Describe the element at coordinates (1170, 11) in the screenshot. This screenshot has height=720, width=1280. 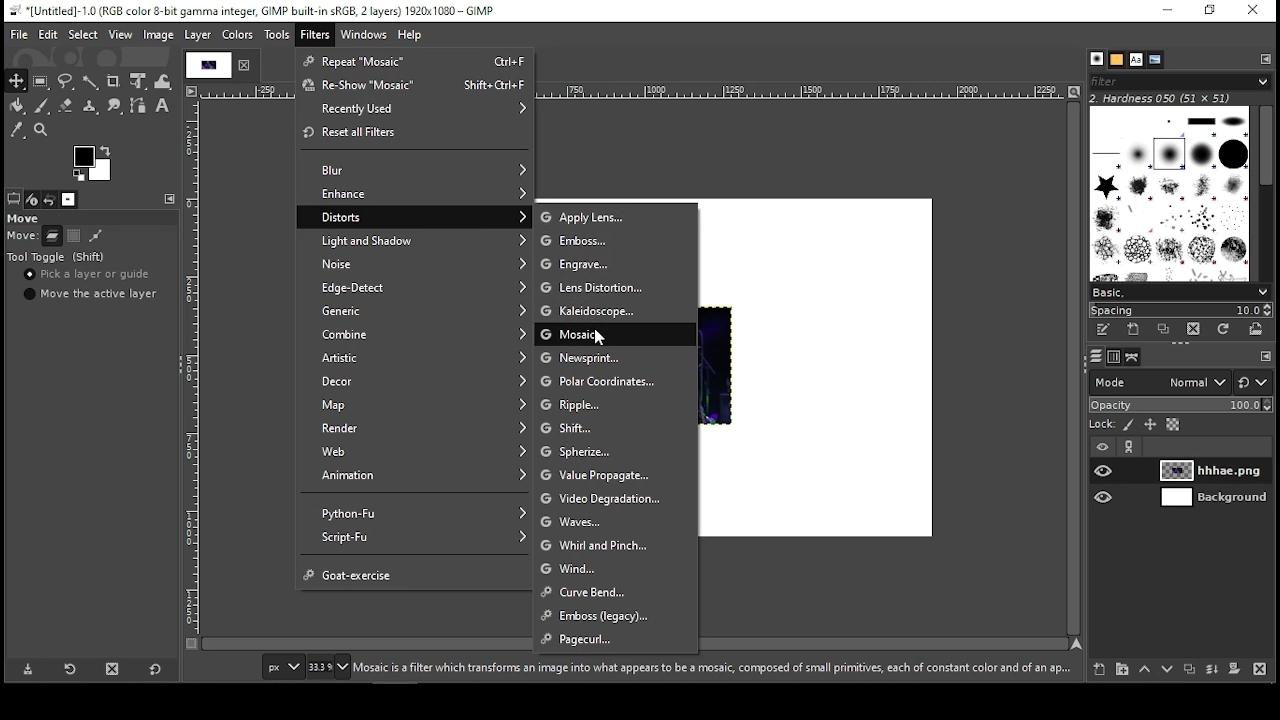
I see `minimize` at that location.